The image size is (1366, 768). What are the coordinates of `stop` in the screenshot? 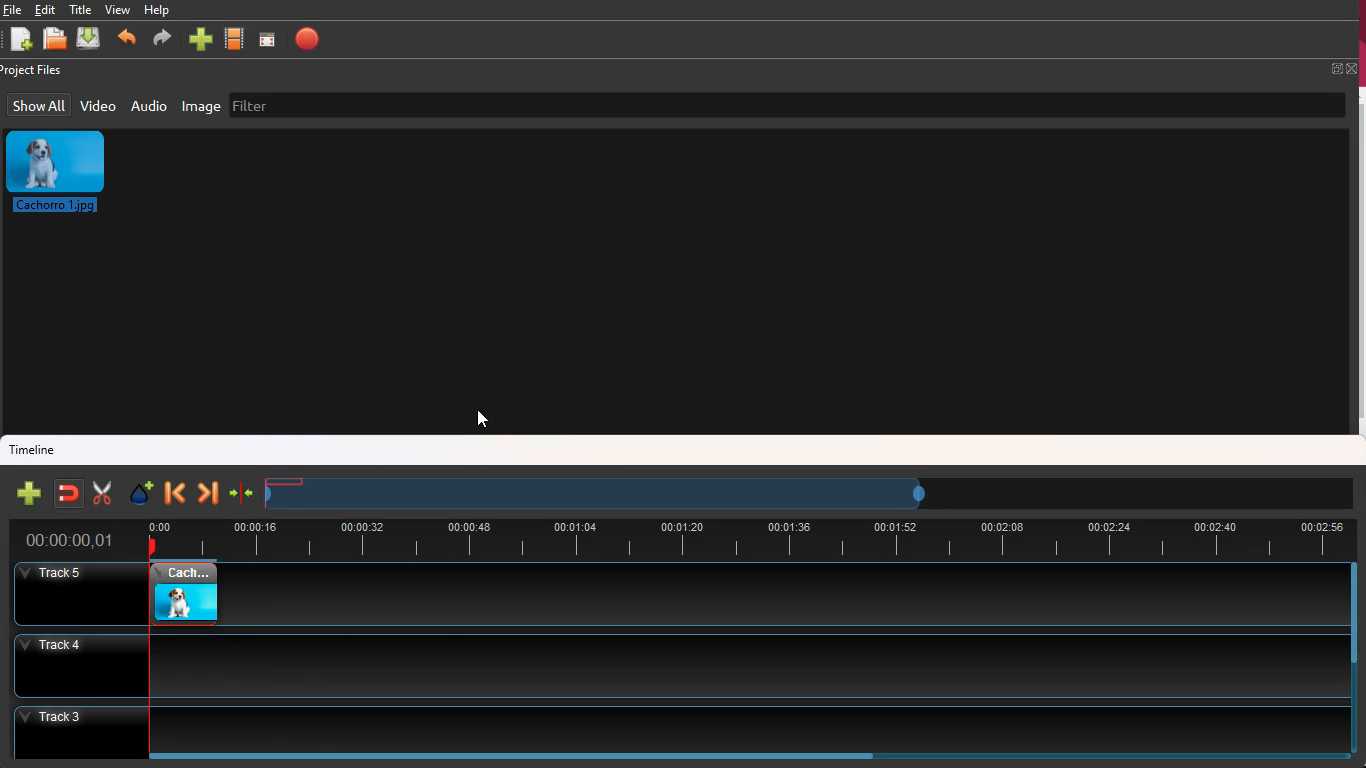 It's located at (312, 43).